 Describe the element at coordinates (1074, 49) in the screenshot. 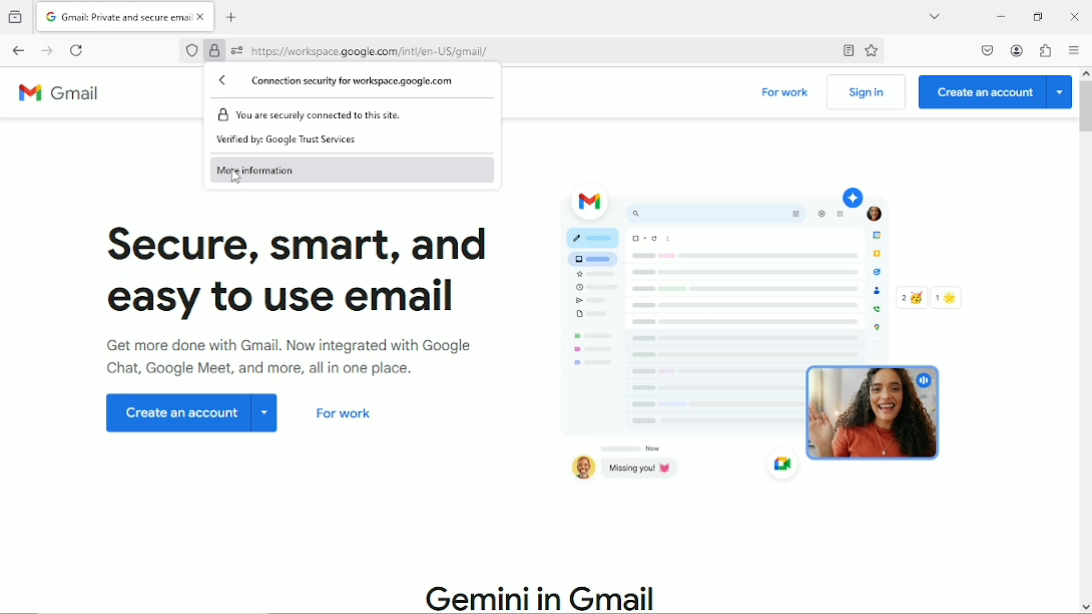

I see `Open application menu` at that location.